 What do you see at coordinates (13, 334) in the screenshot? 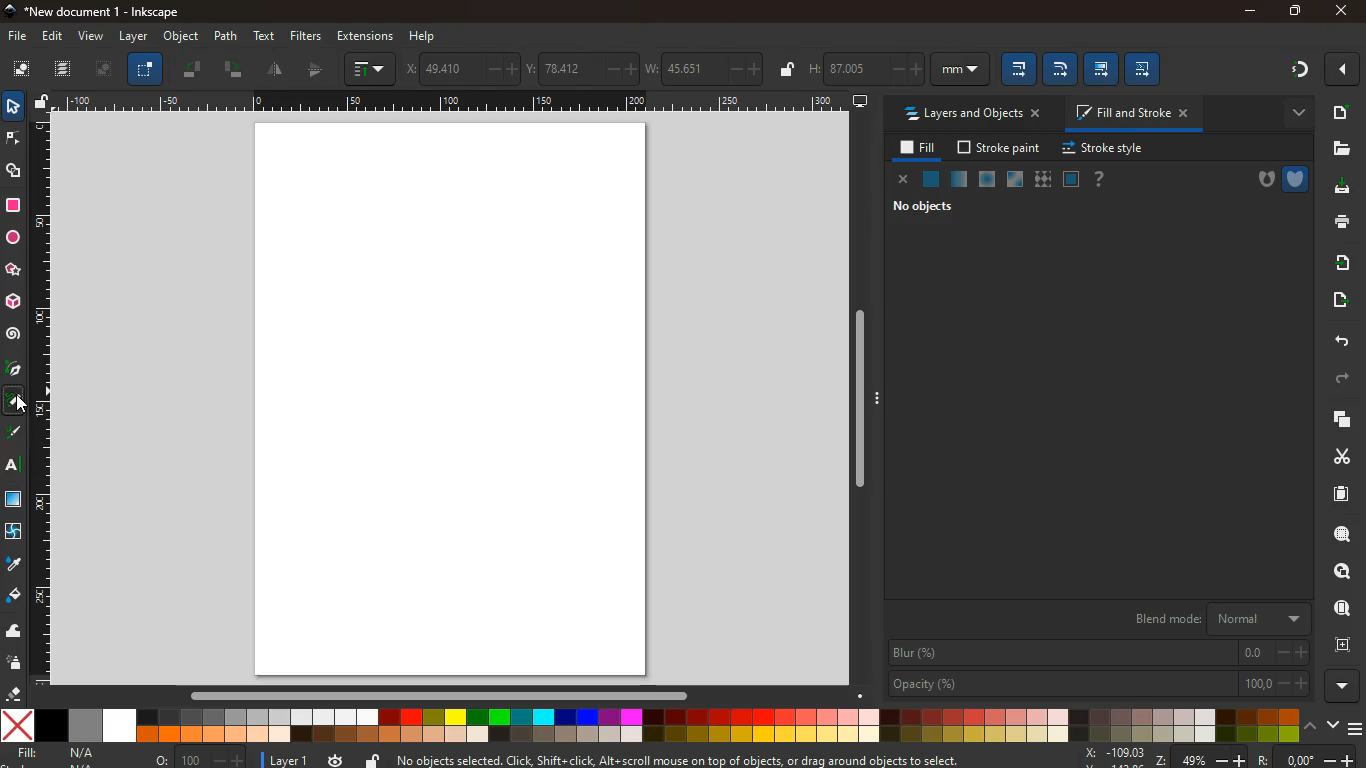
I see `spiral` at bounding box center [13, 334].